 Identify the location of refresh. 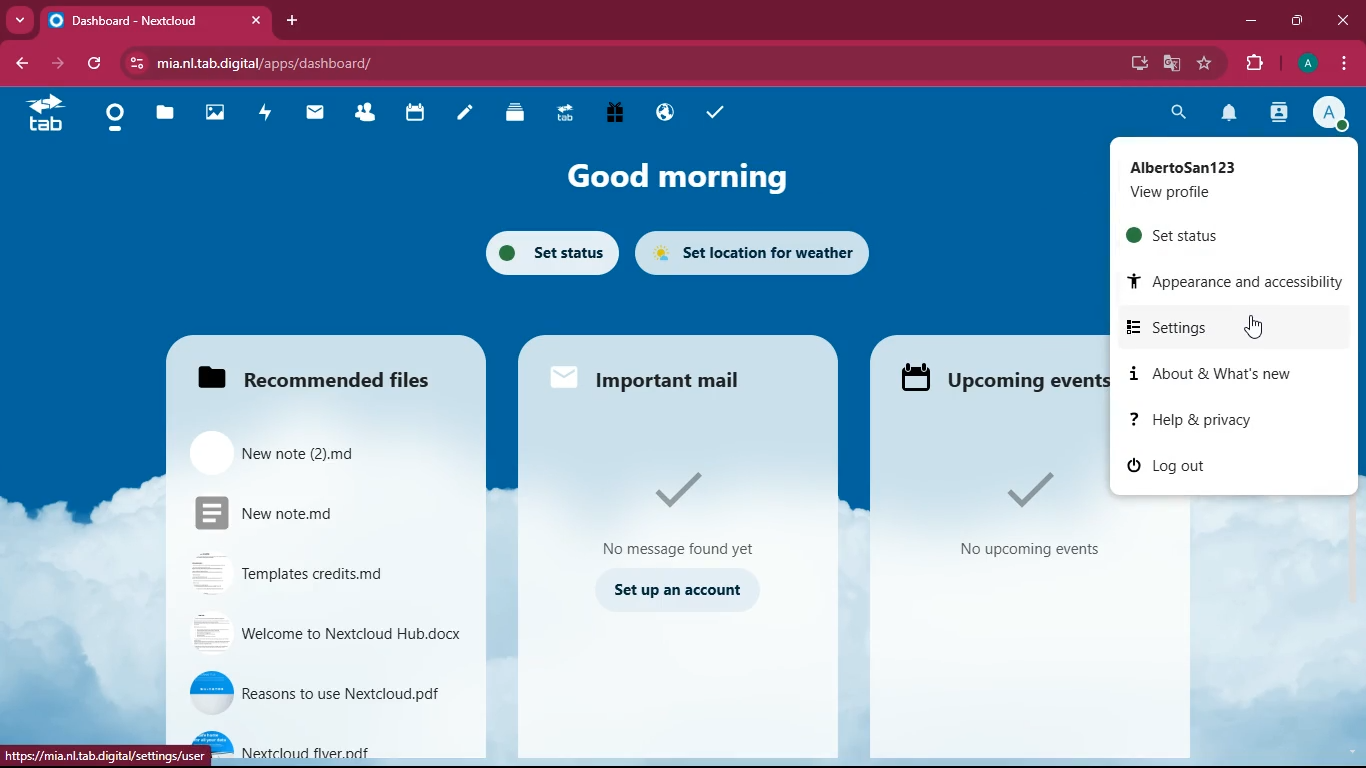
(94, 64).